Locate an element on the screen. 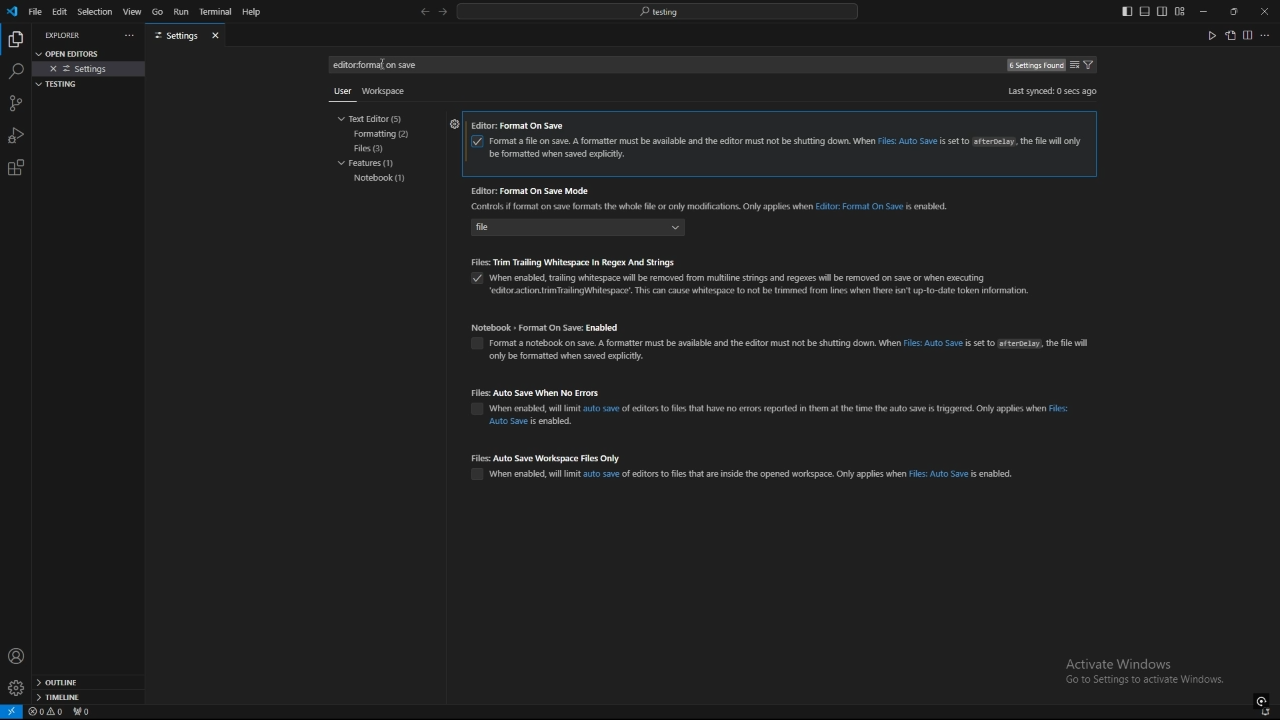  notebook format on save : enabled informations is located at coordinates (825, 349).